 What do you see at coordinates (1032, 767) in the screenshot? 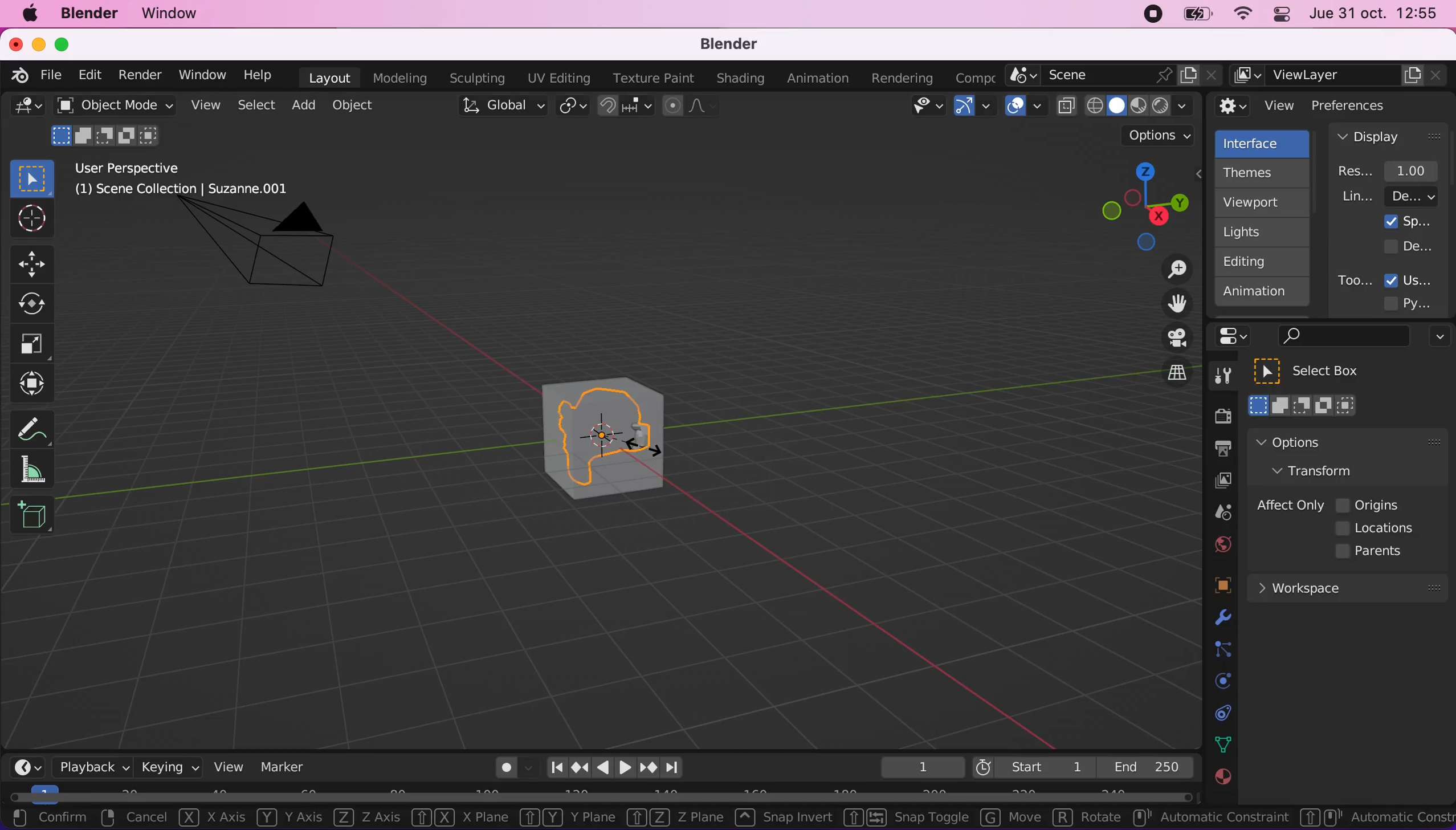
I see `start 1` at bounding box center [1032, 767].